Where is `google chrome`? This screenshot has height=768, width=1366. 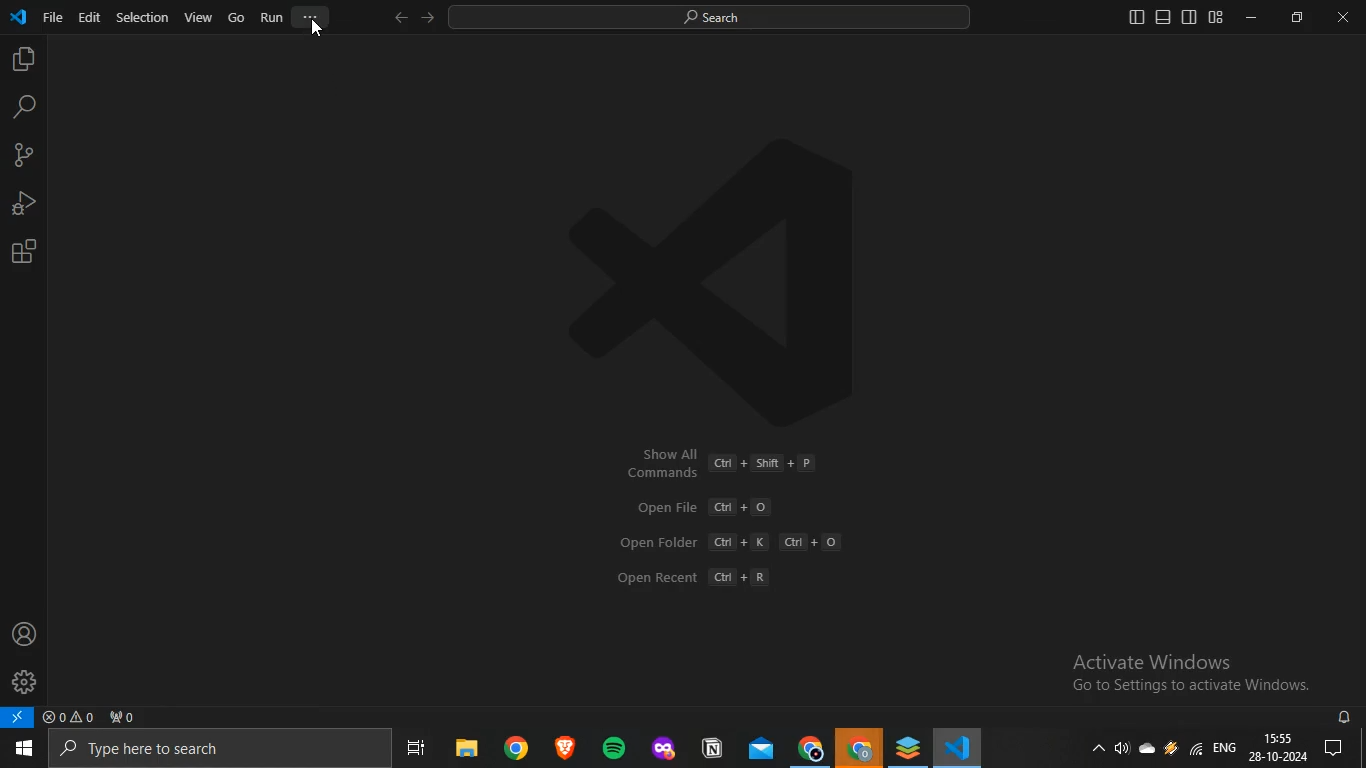 google chrome is located at coordinates (810, 748).